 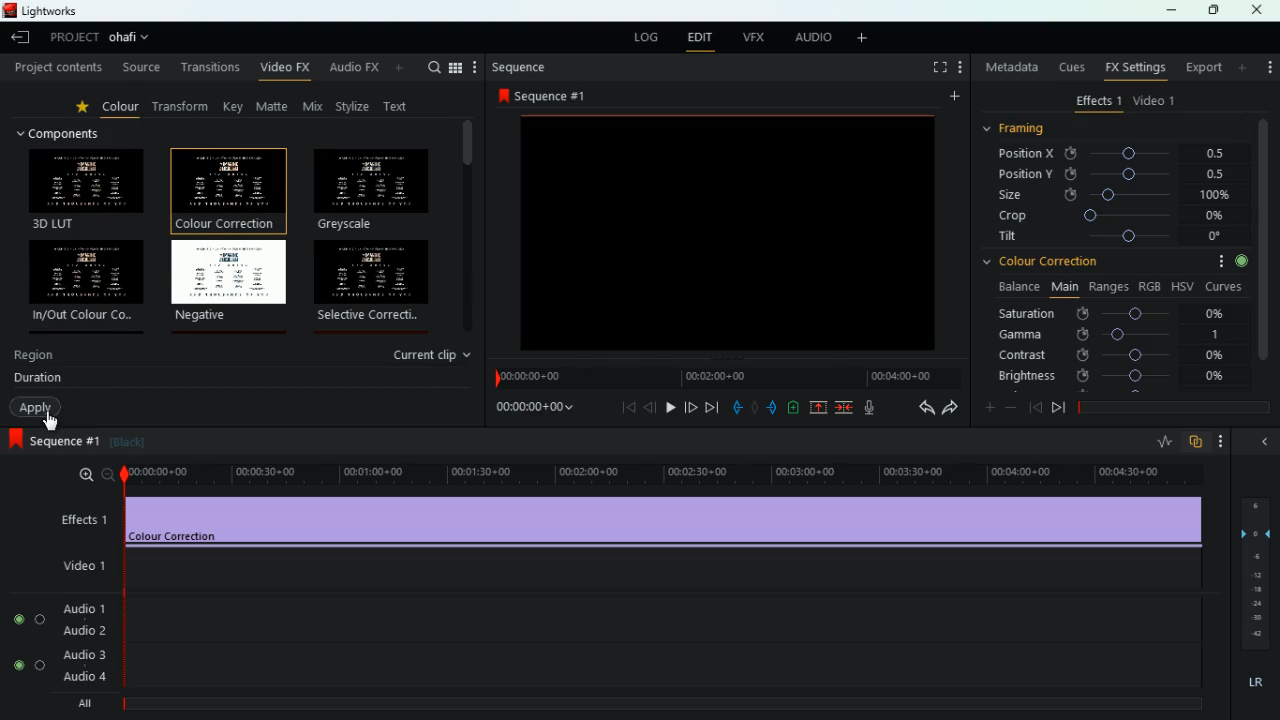 What do you see at coordinates (1162, 441) in the screenshot?
I see `ray` at bounding box center [1162, 441].